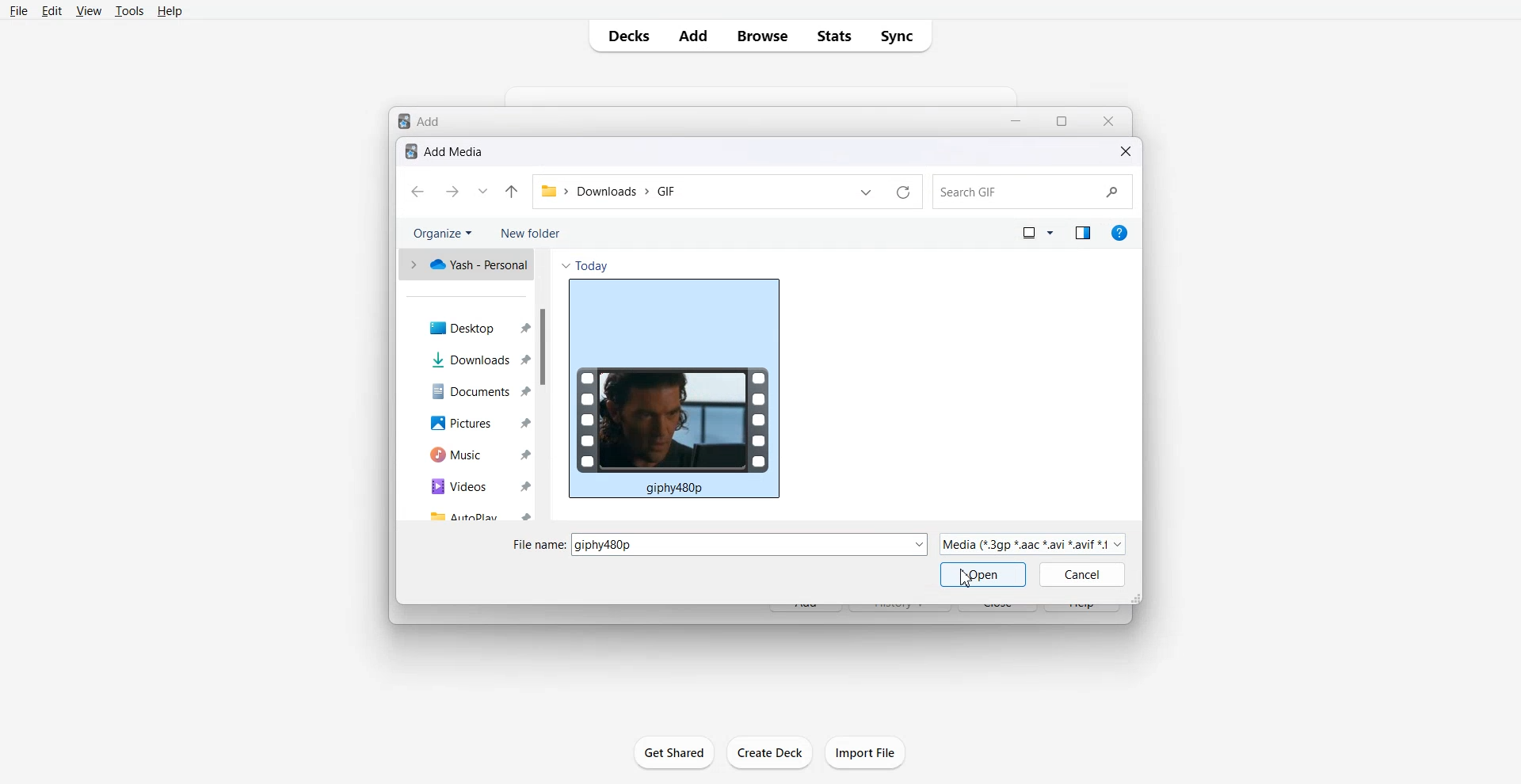  I want to click on Close, so click(1108, 121).